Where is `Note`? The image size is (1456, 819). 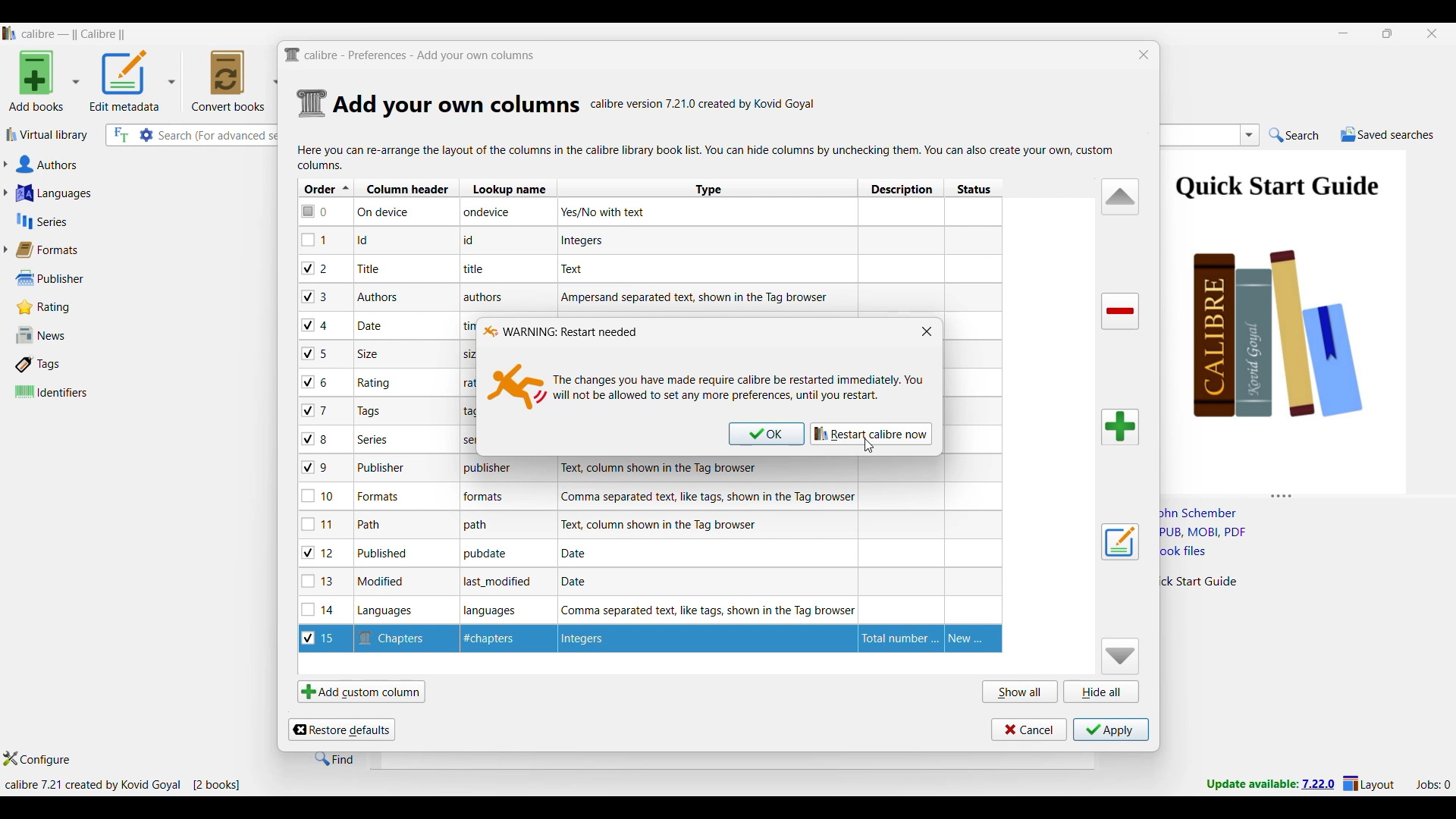 Note is located at coordinates (381, 496).